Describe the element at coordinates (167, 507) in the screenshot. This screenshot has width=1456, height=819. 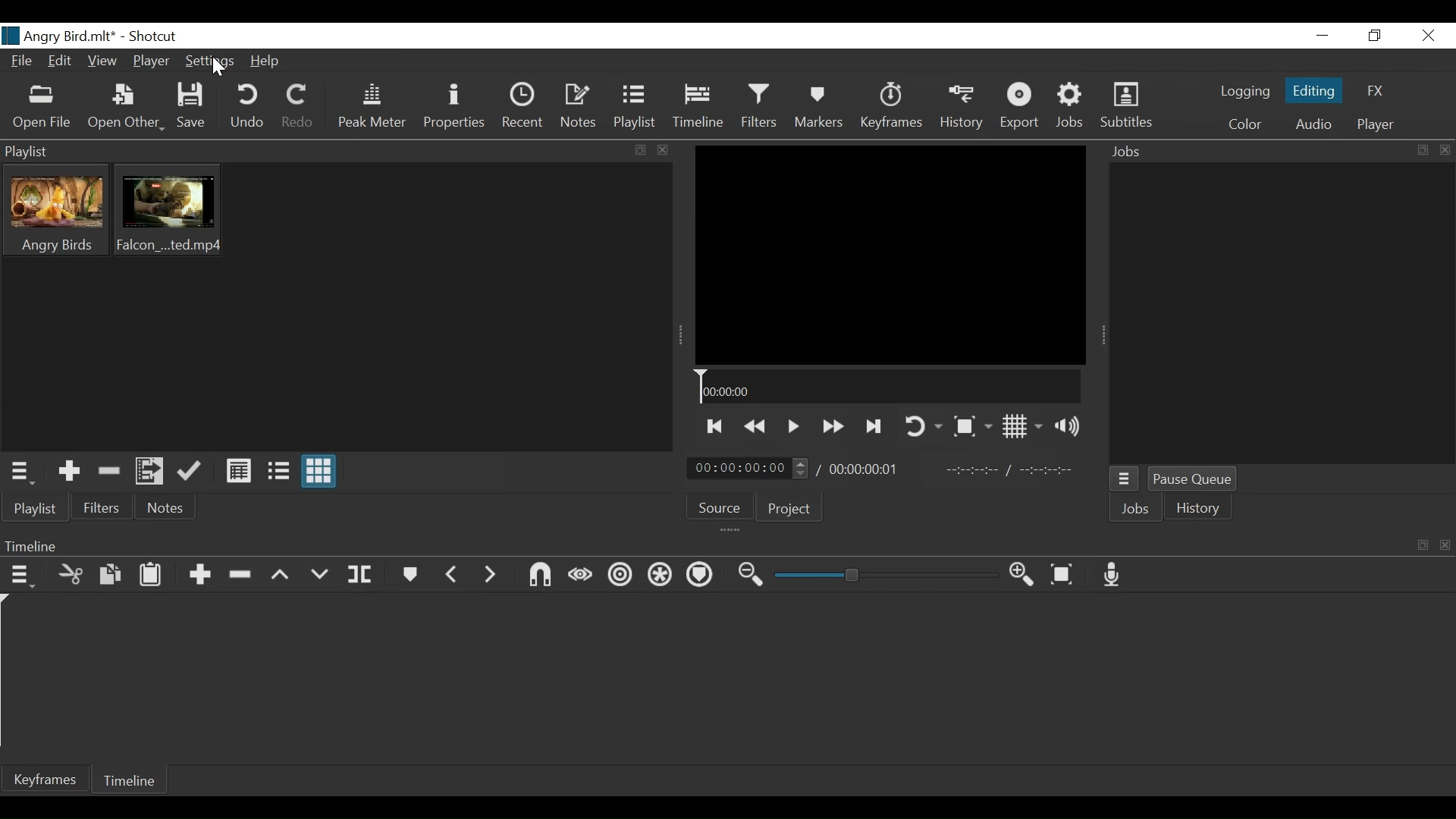
I see `Notes` at that location.